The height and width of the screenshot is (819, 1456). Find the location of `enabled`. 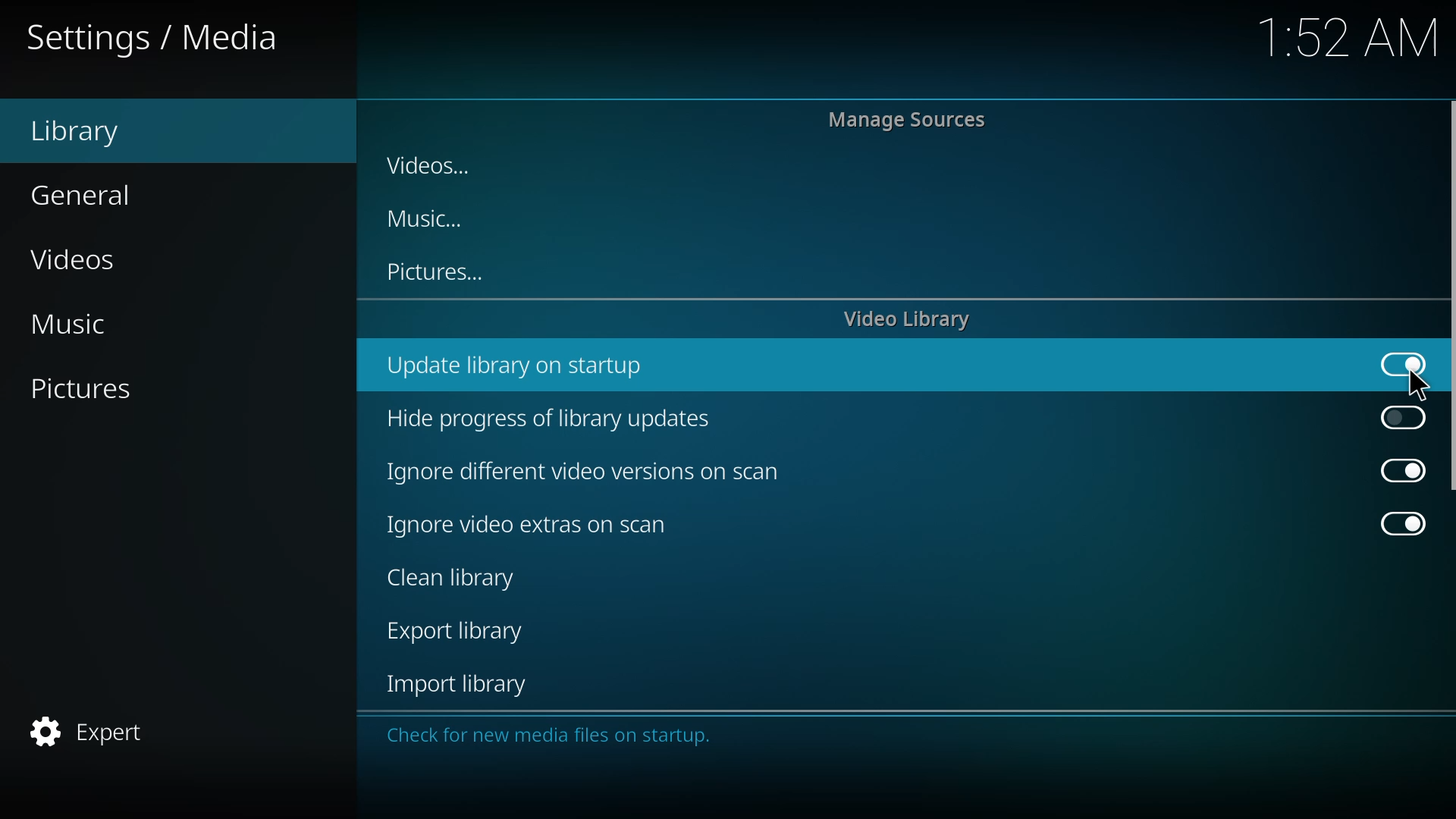

enabled is located at coordinates (1395, 469).